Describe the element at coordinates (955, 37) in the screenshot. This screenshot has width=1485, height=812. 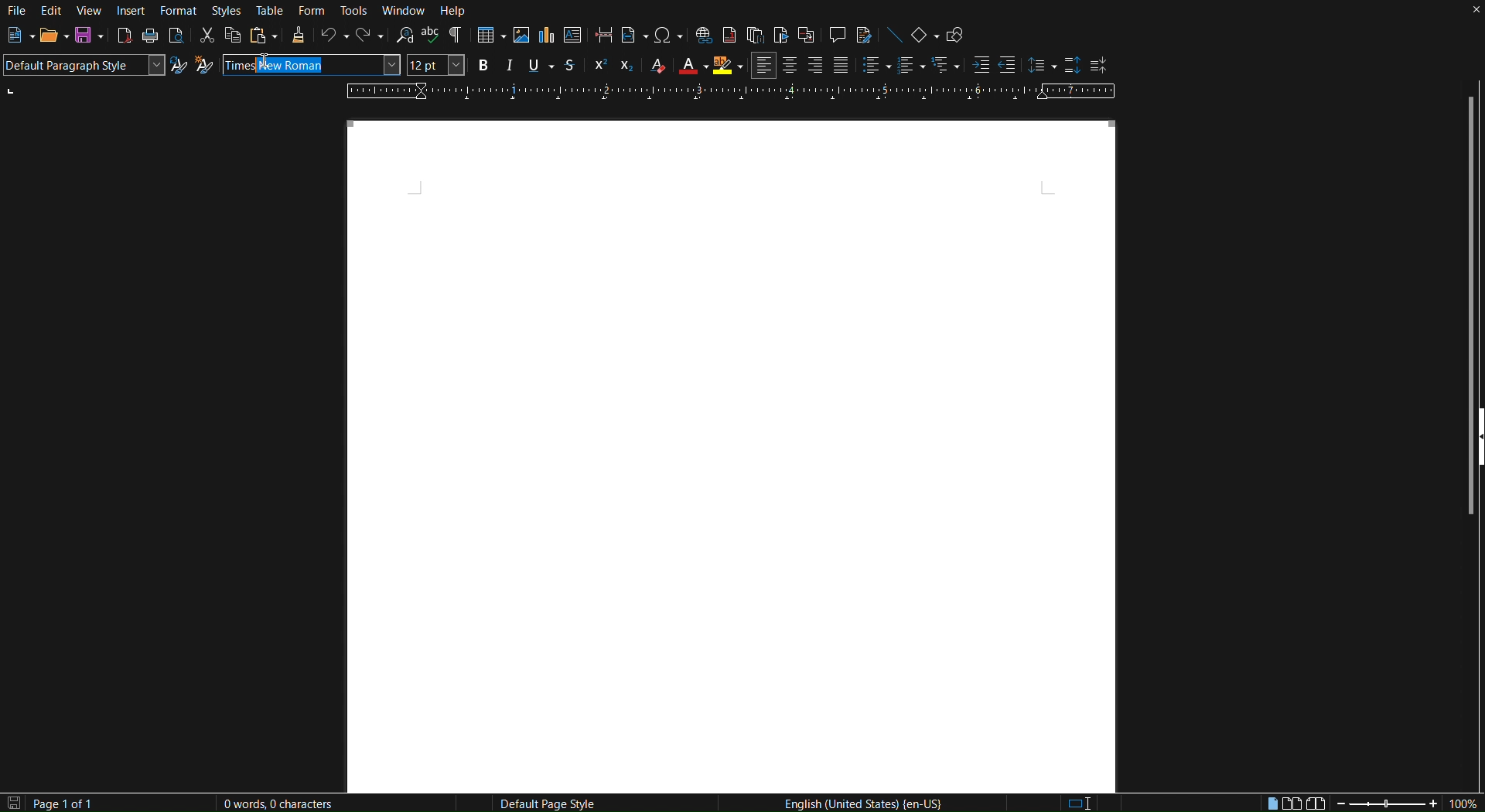
I see `Show Draw Functions` at that location.